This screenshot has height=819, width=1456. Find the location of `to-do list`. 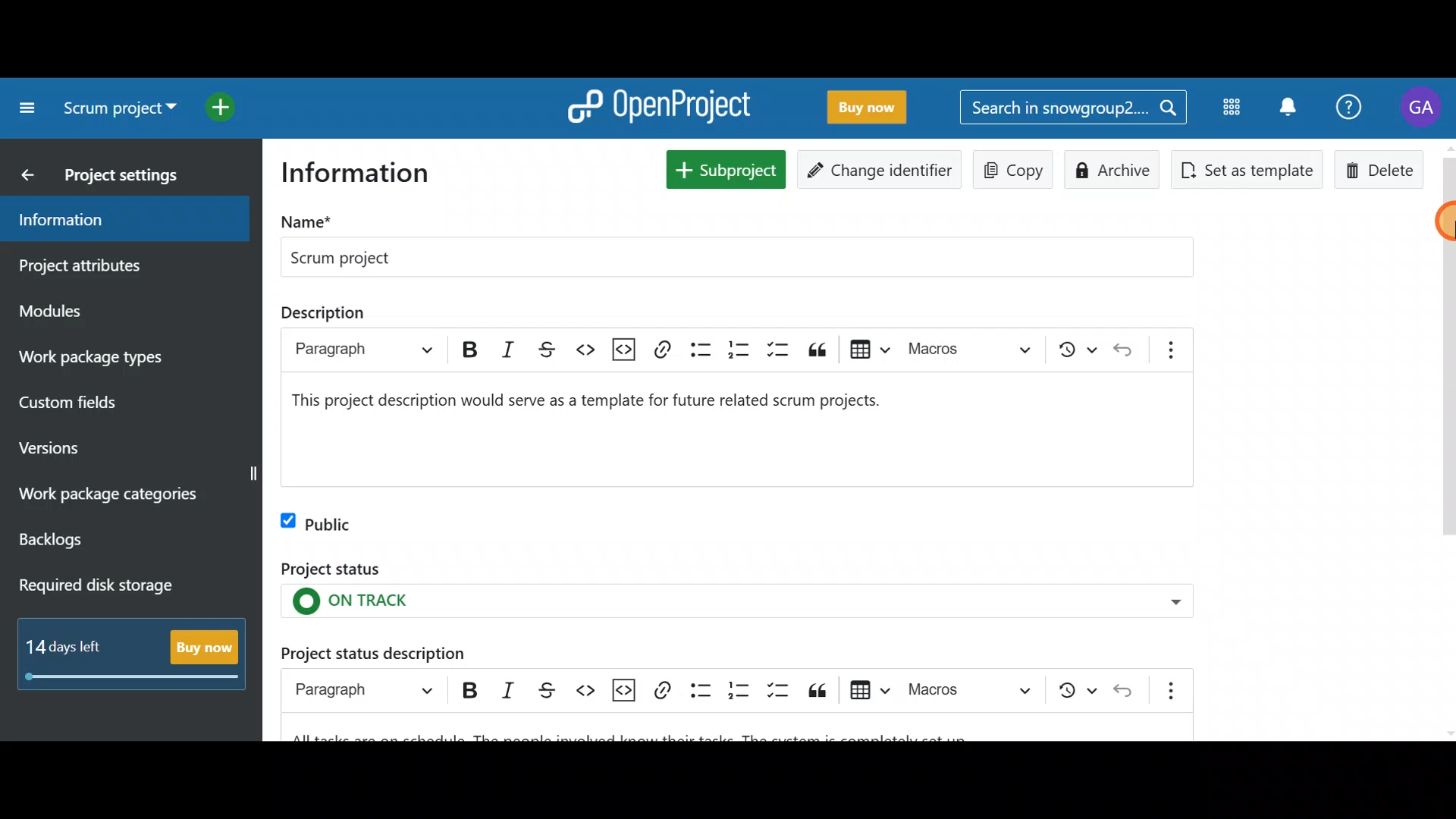

to-do list is located at coordinates (777, 350).